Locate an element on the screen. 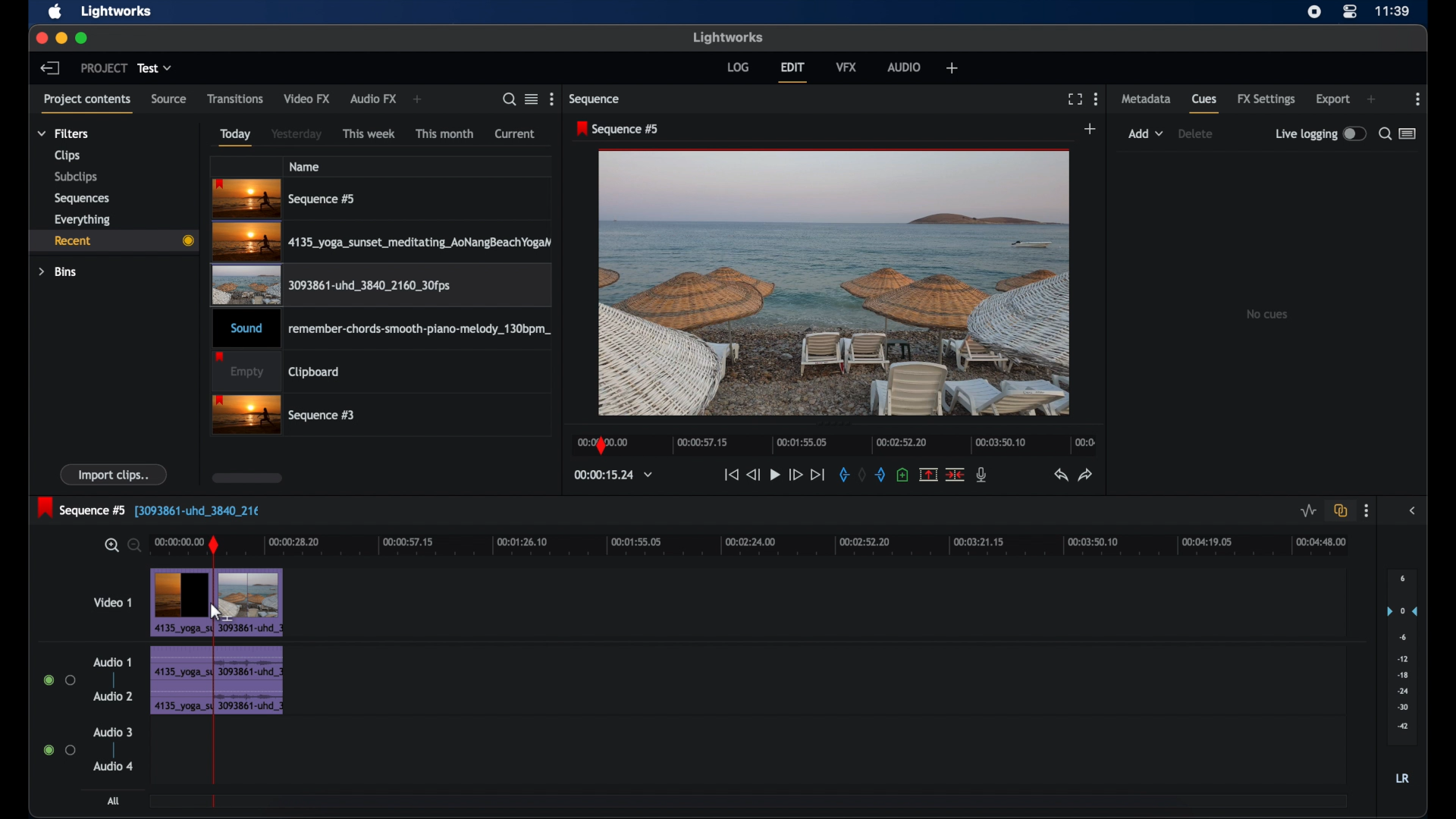 This screenshot has height=819, width=1456. audio clip is located at coordinates (181, 682).